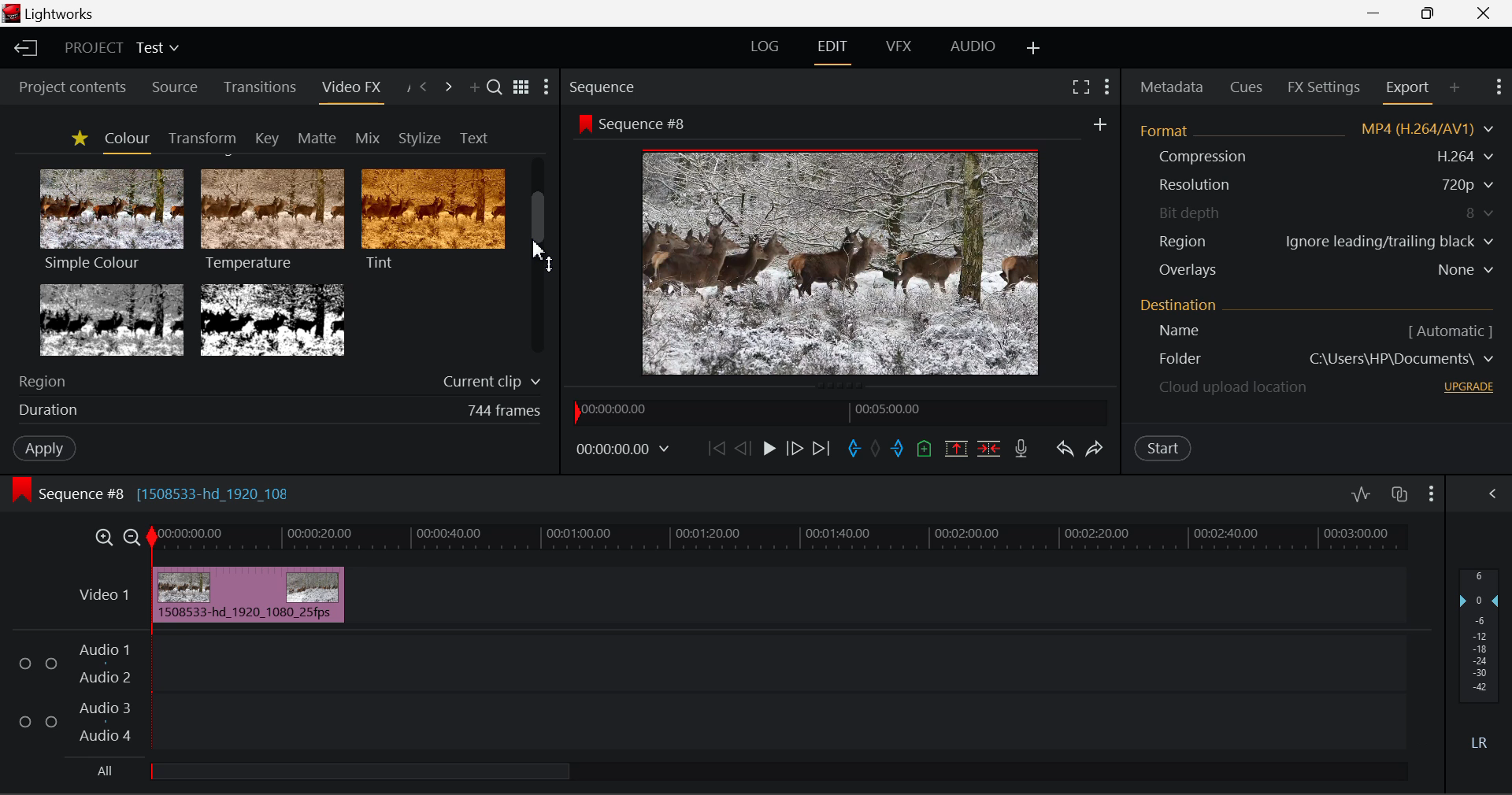 This screenshot has width=1512, height=795. I want to click on Ignore leading/trailing black , so click(1388, 242).